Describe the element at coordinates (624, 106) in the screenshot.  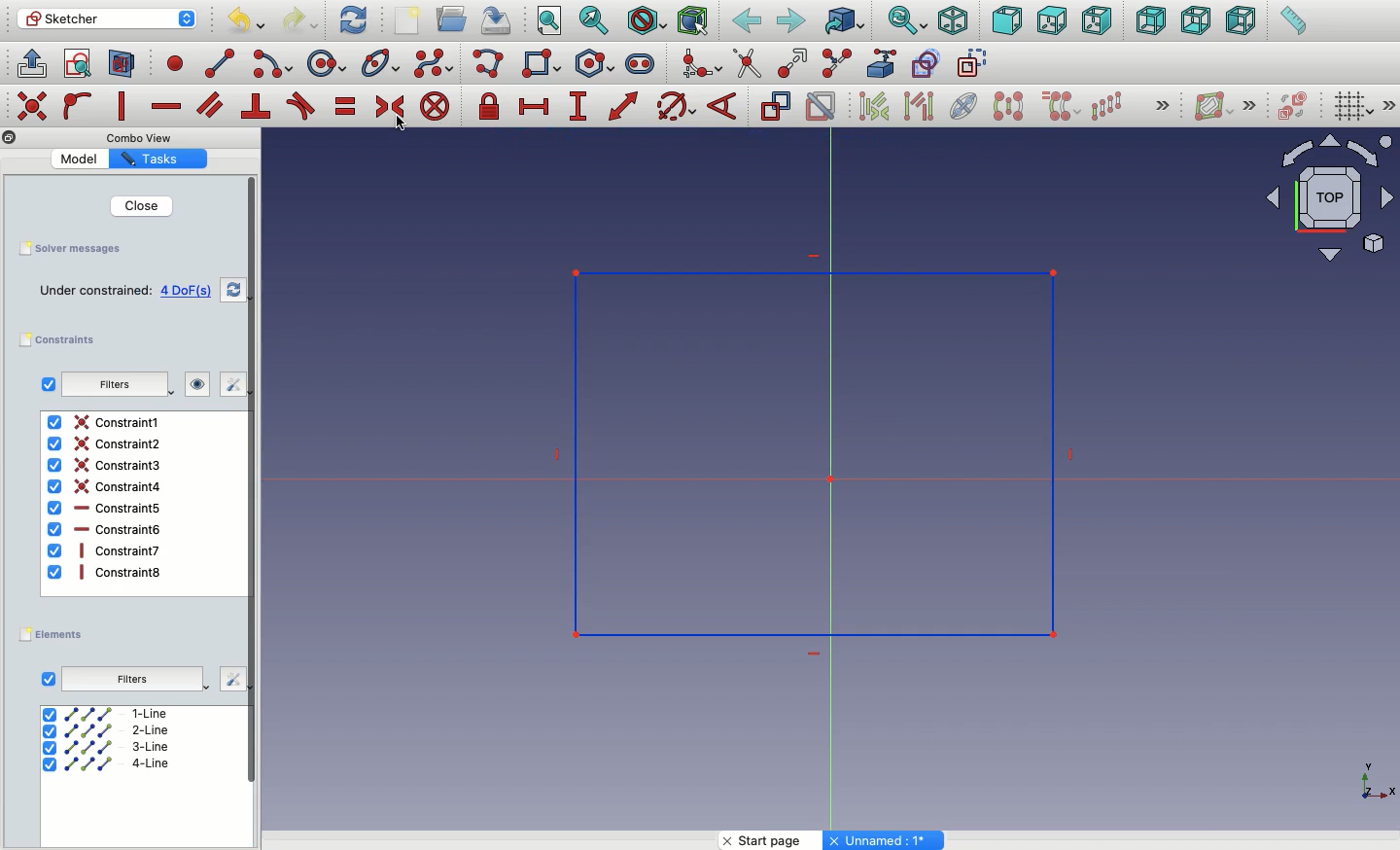
I see `constrain distance` at that location.